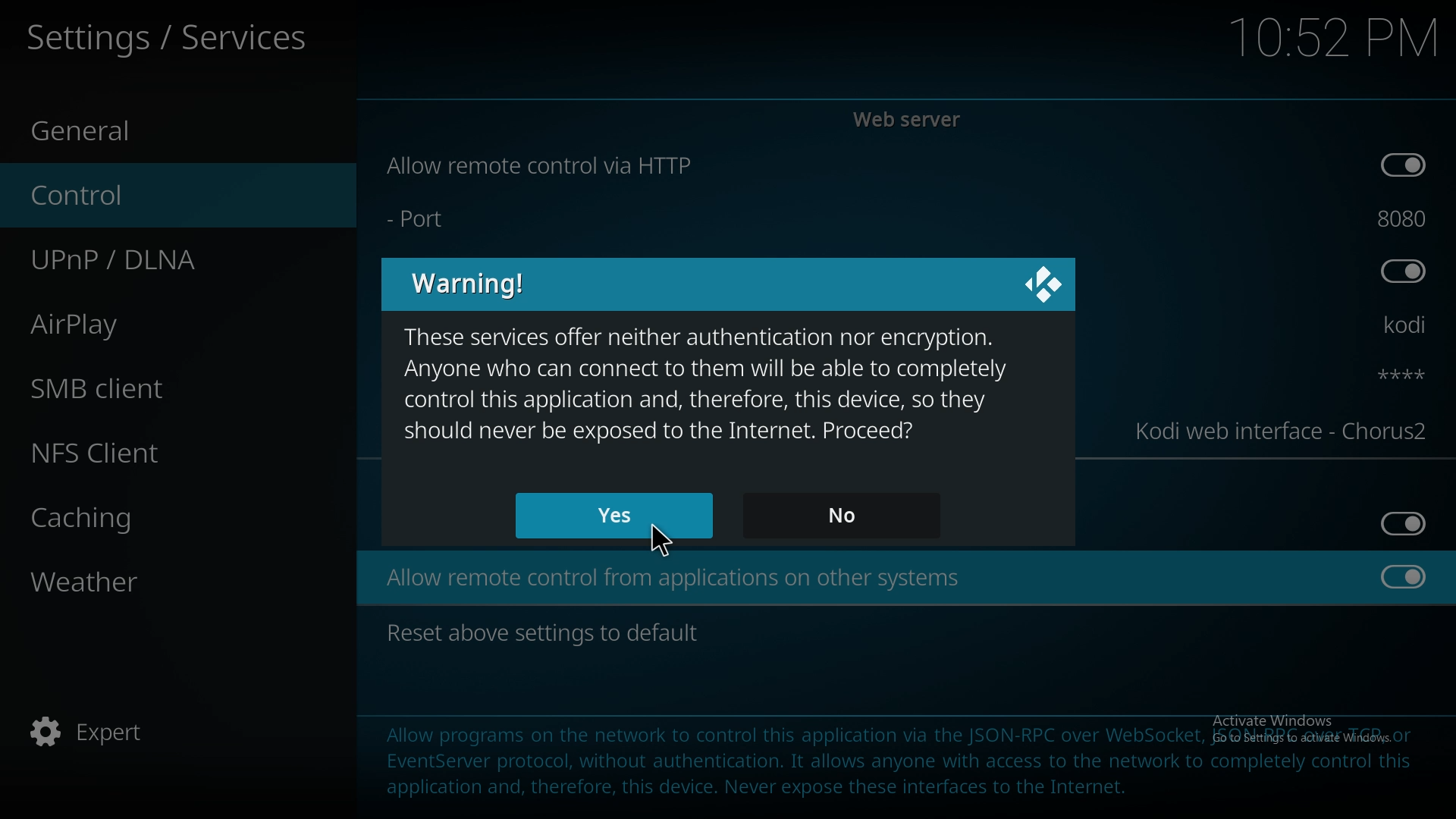  What do you see at coordinates (1403, 273) in the screenshot?
I see `toggle` at bounding box center [1403, 273].